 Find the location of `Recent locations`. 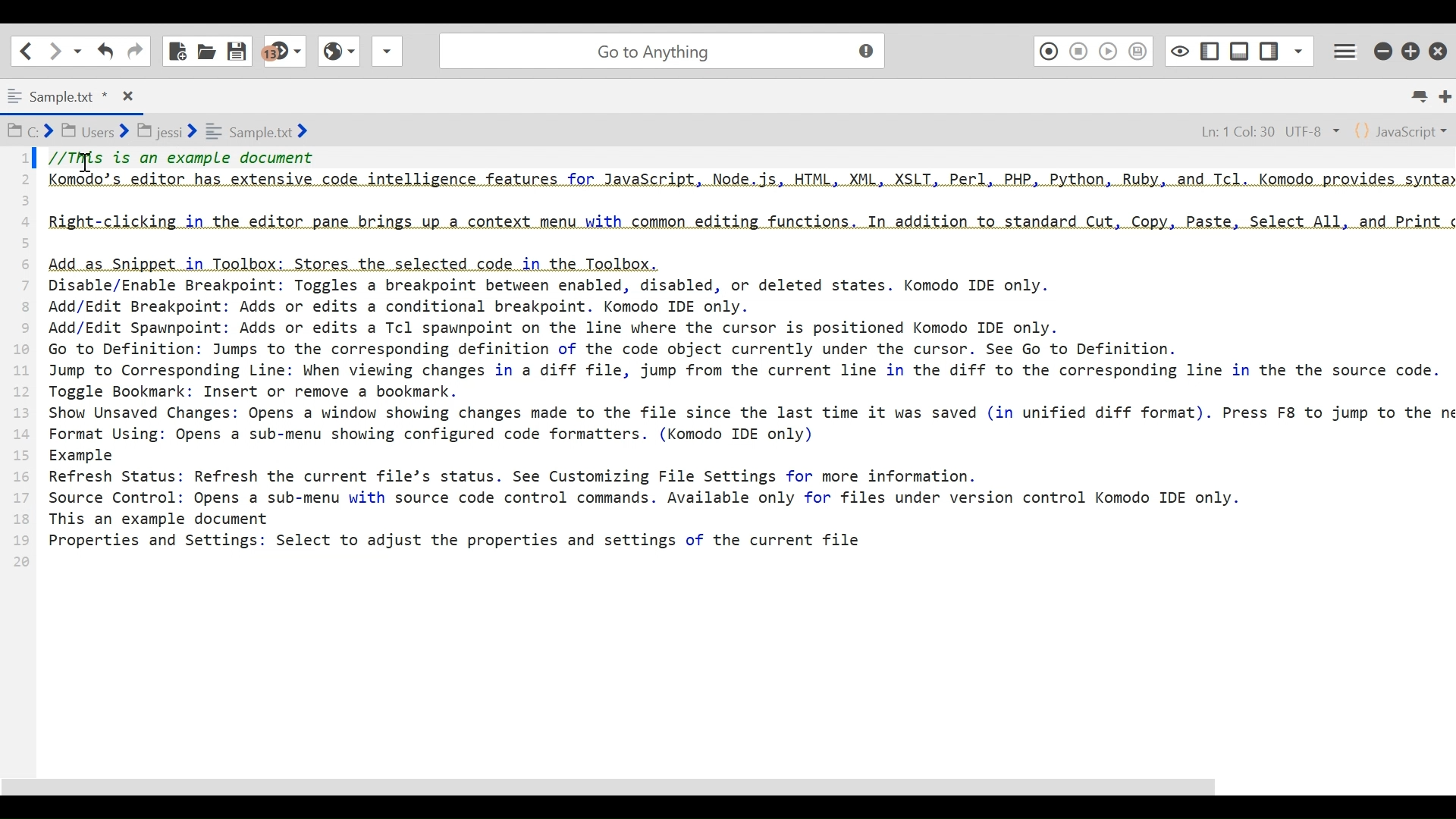

Recent locations is located at coordinates (78, 52).